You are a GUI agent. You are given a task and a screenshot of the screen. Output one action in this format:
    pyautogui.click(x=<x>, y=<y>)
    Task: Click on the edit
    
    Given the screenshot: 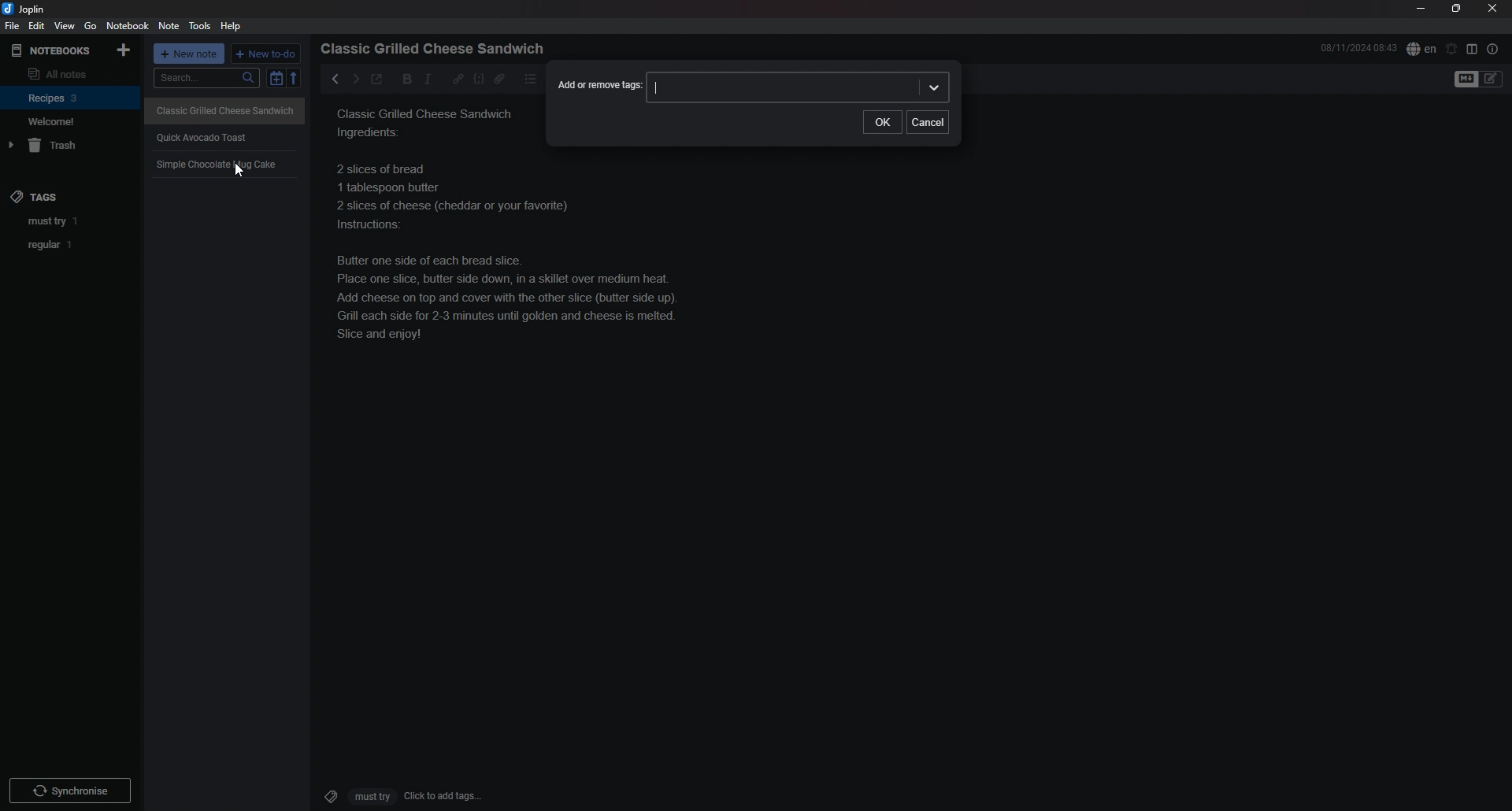 What is the action you would take?
    pyautogui.click(x=35, y=26)
    